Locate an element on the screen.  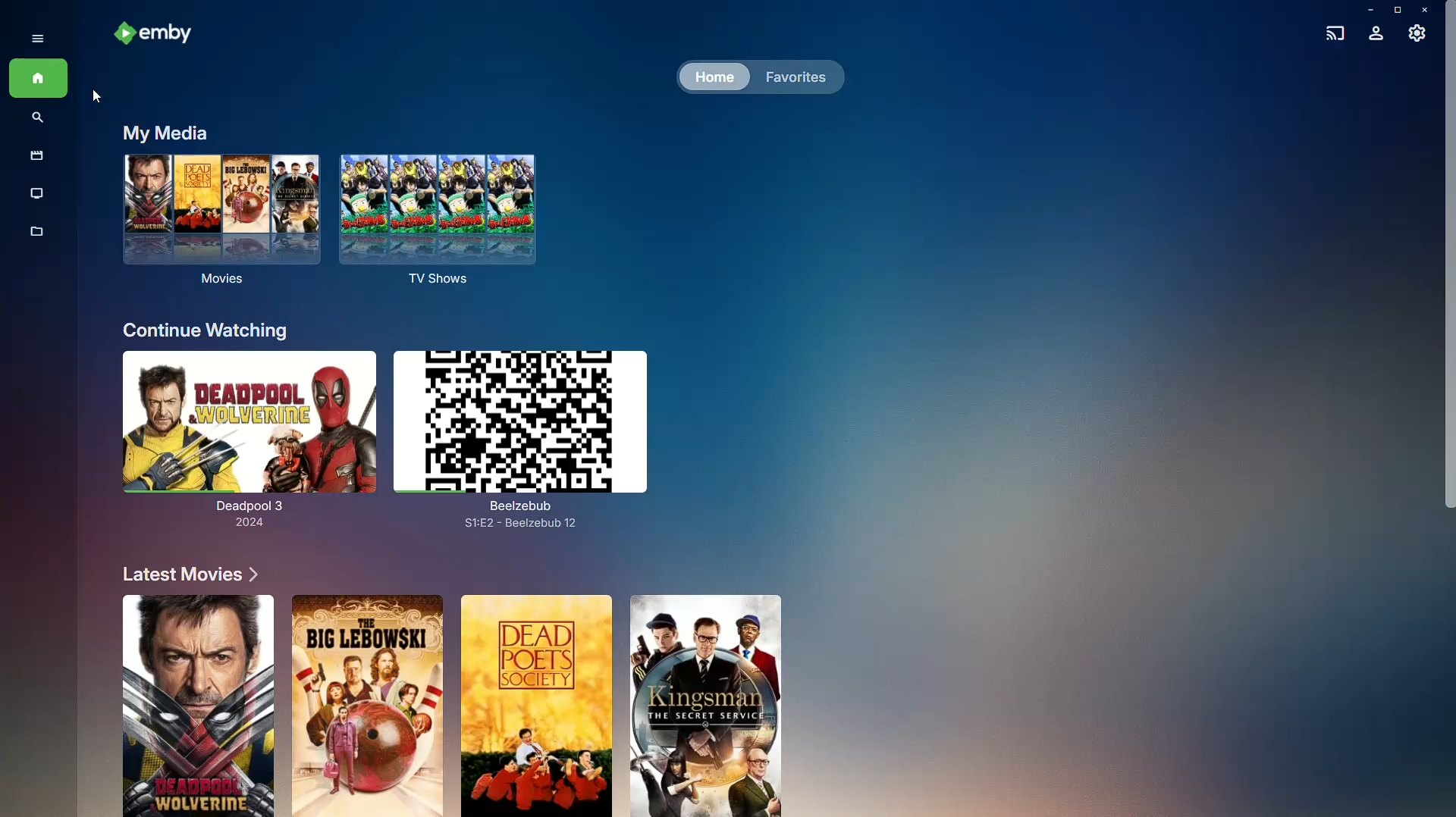
 is located at coordinates (538, 706).